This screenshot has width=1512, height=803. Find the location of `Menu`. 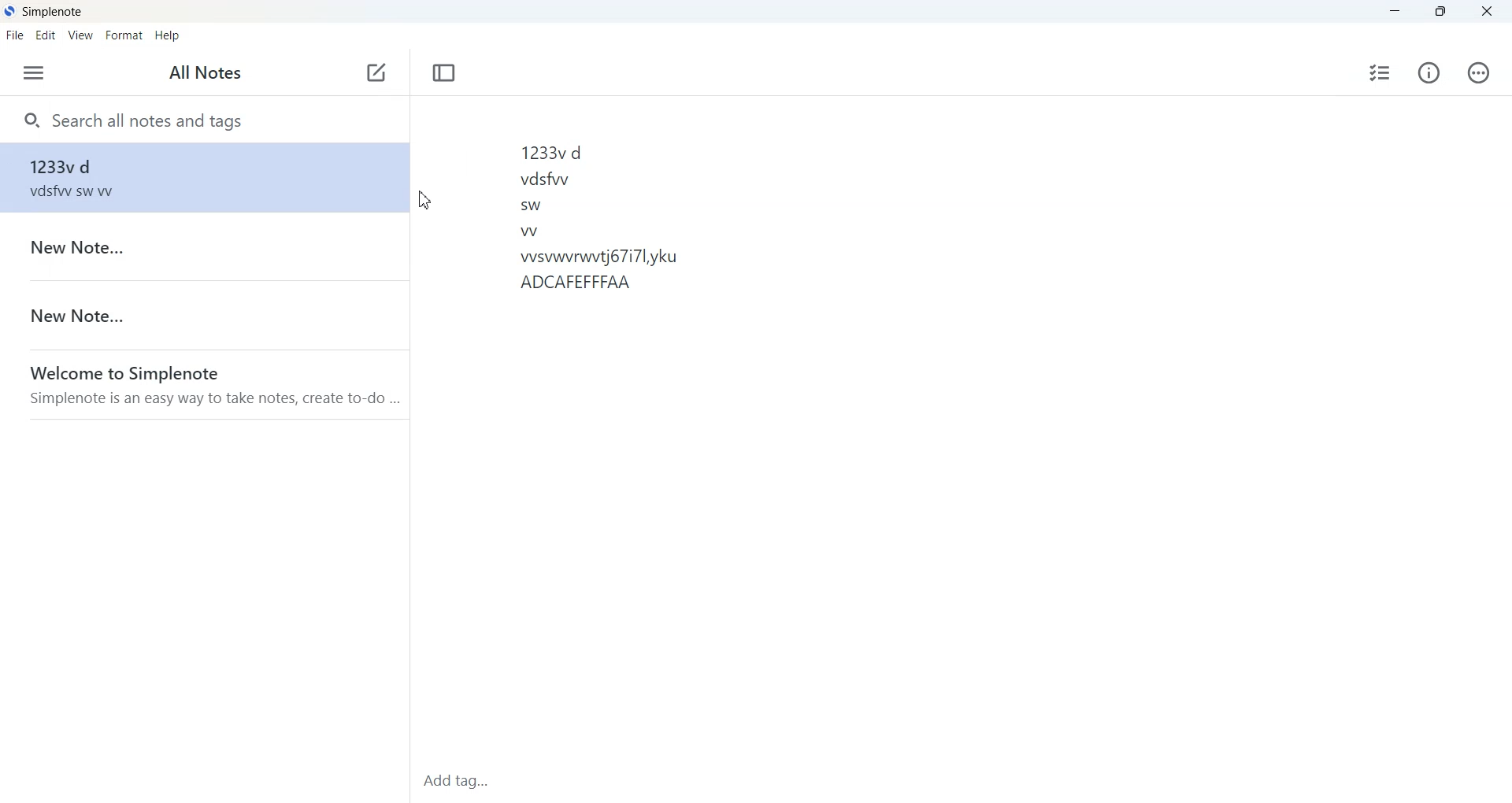

Menu is located at coordinates (35, 73).